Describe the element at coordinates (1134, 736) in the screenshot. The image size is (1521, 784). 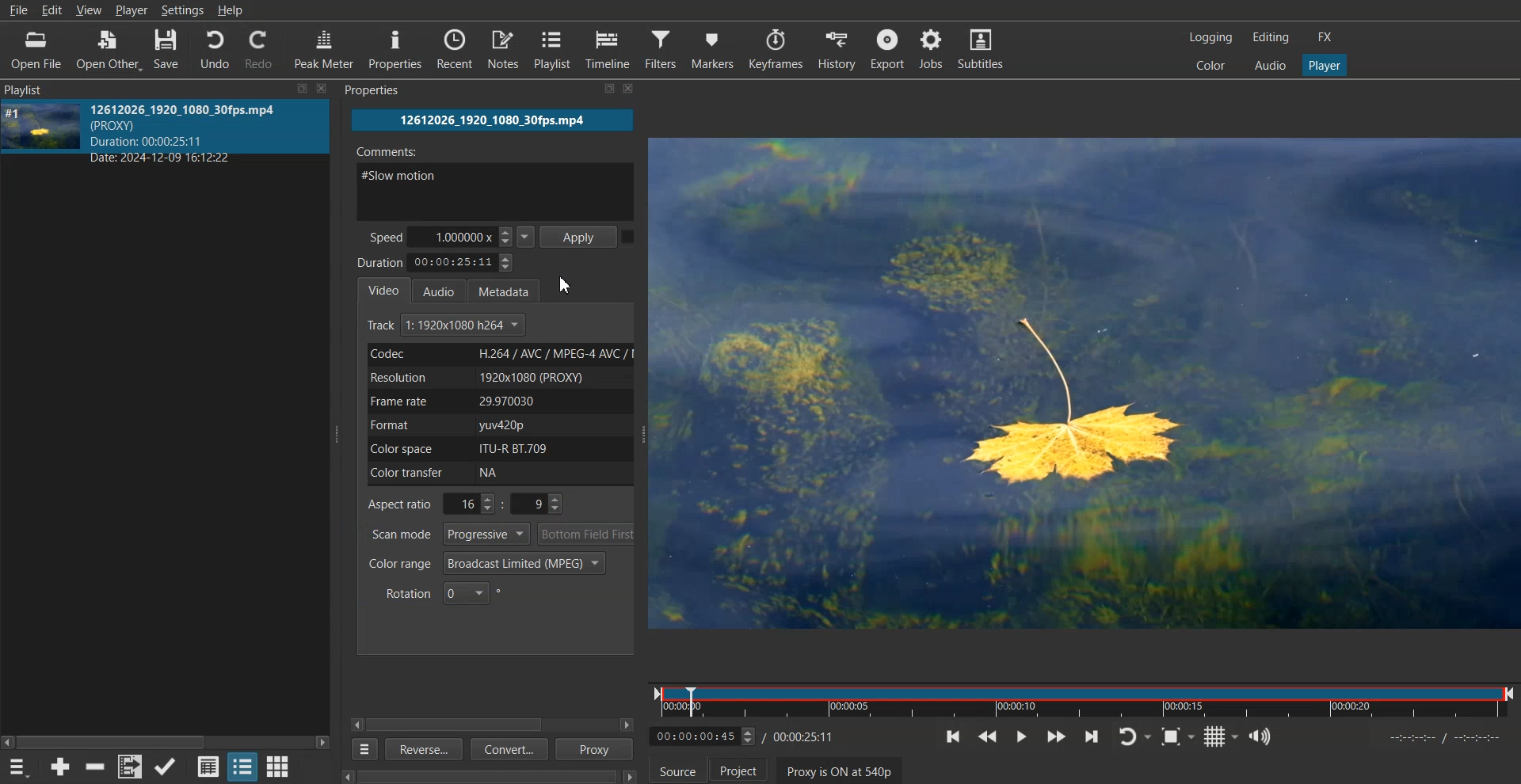
I see `Toggle player lopping` at that location.